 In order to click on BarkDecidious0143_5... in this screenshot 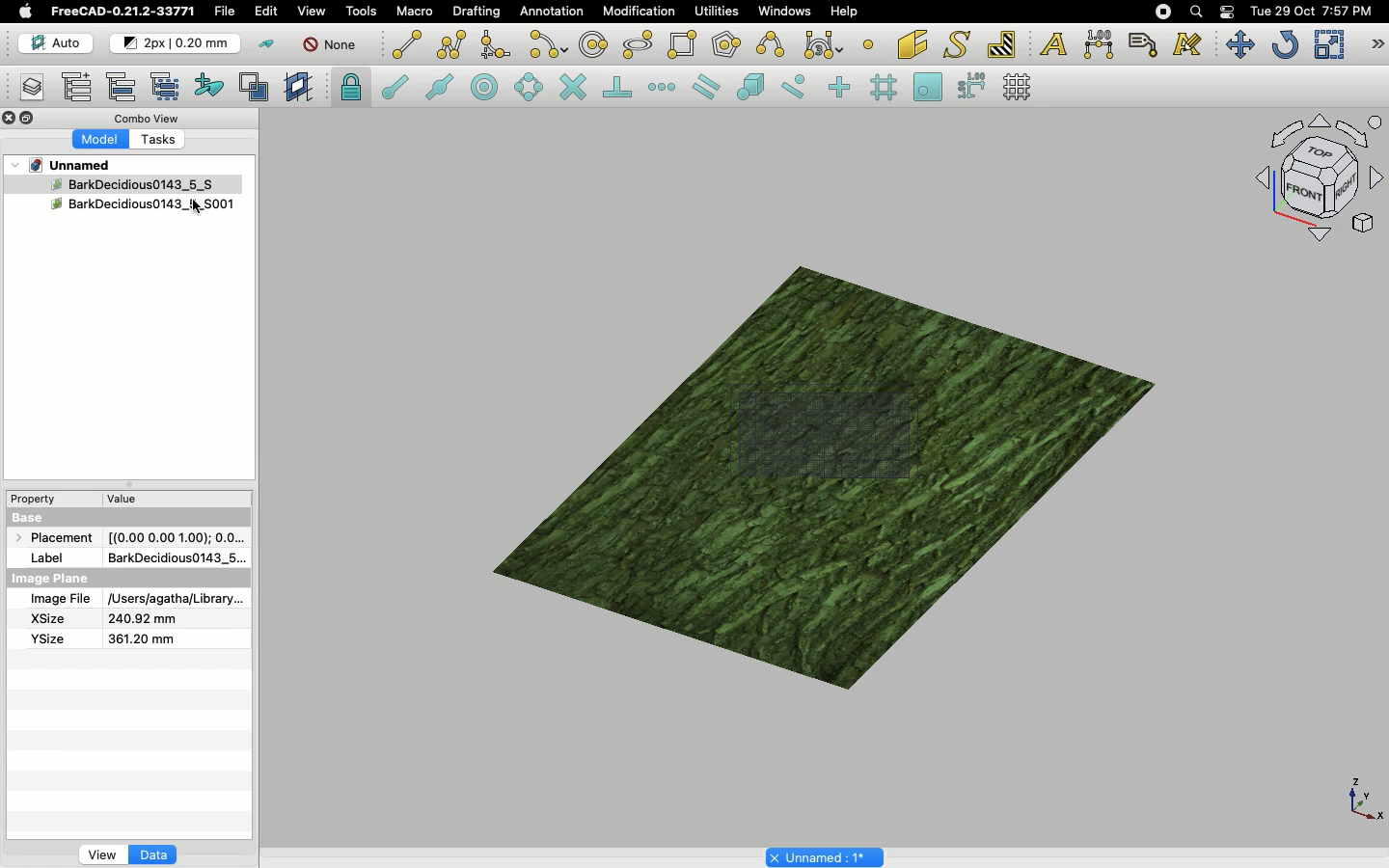, I will do `click(175, 557)`.